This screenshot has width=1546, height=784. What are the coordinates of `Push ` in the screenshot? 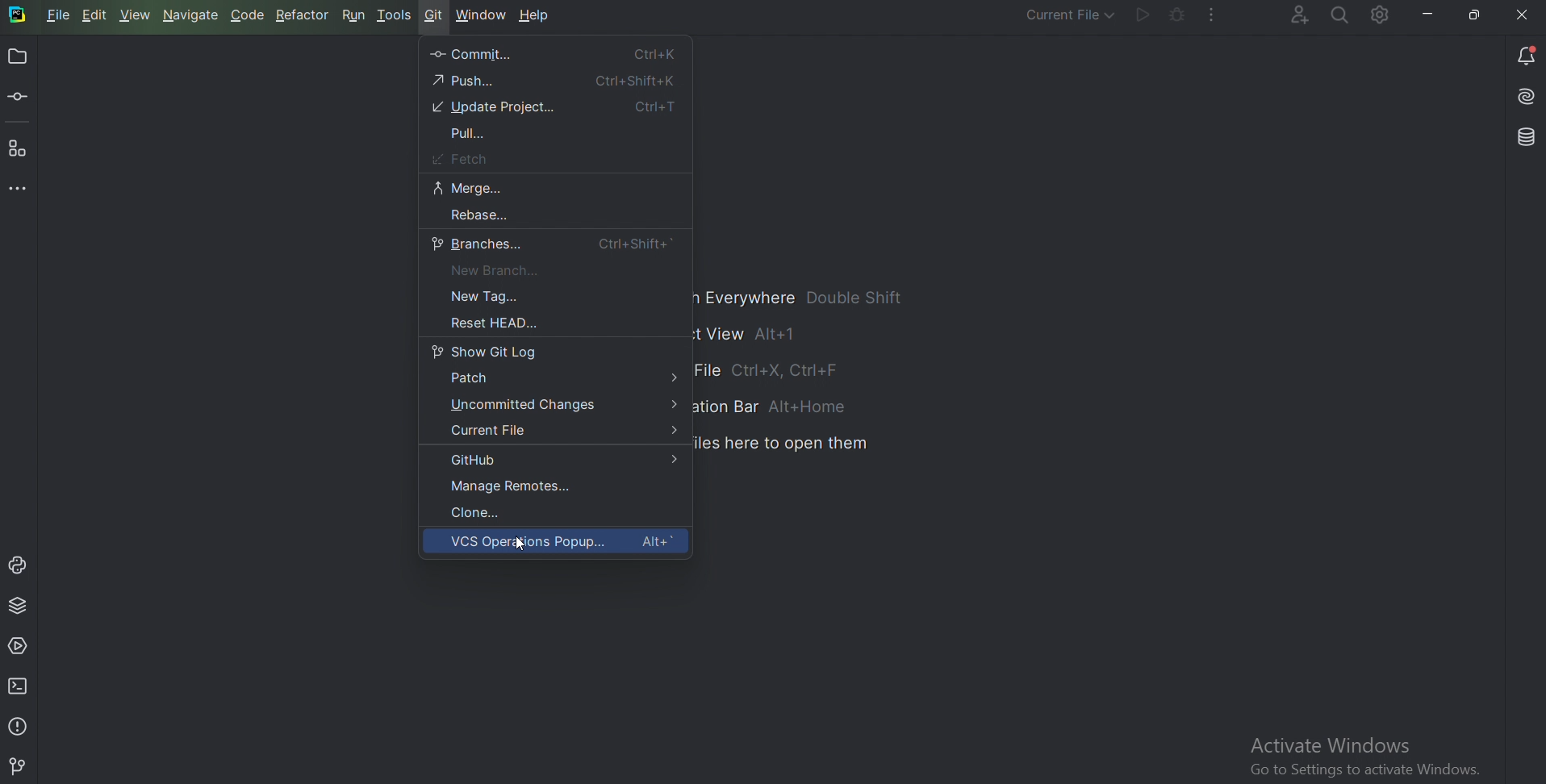 It's located at (557, 80).